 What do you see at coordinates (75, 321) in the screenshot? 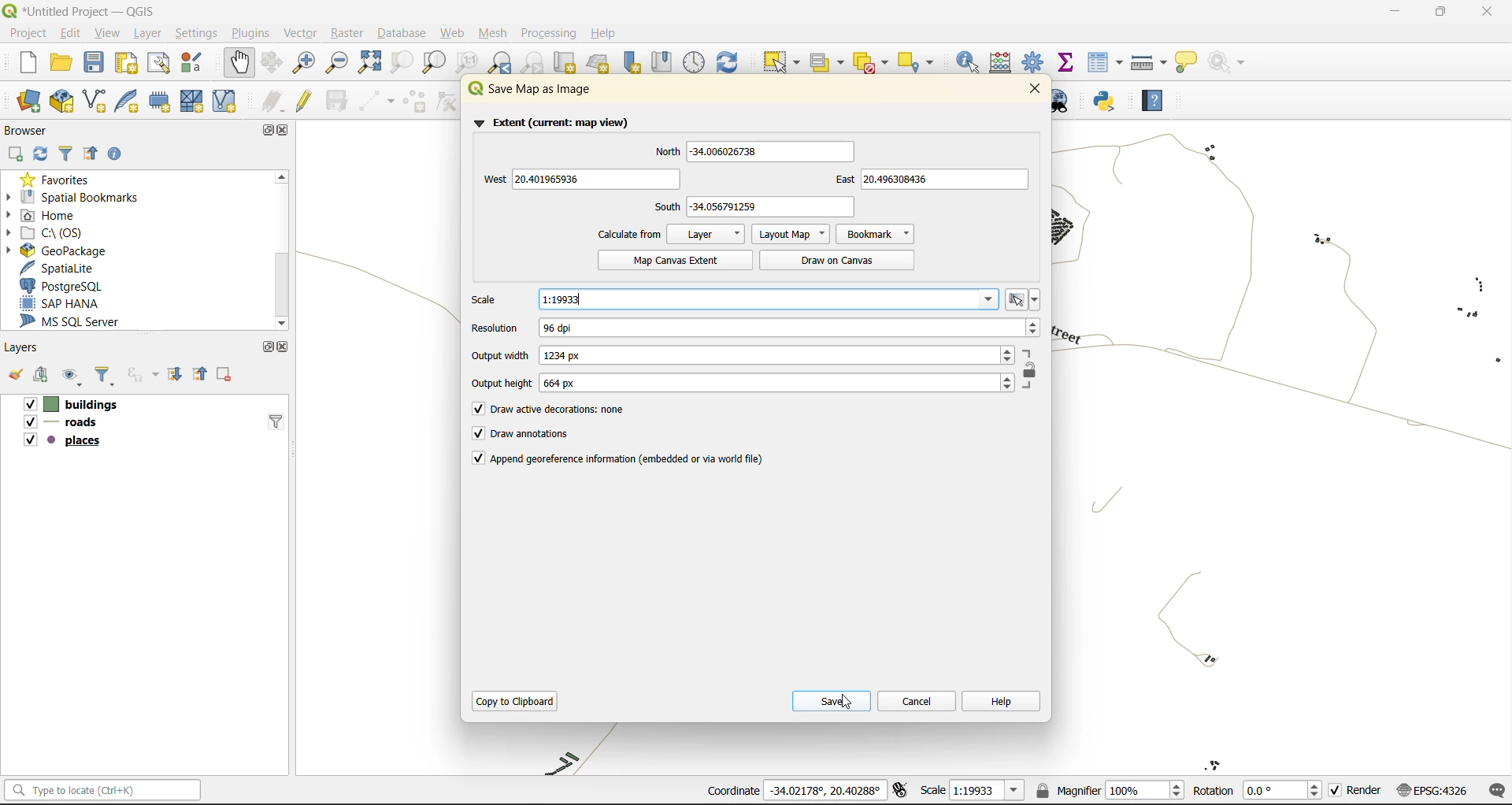
I see `ms sql server` at bounding box center [75, 321].